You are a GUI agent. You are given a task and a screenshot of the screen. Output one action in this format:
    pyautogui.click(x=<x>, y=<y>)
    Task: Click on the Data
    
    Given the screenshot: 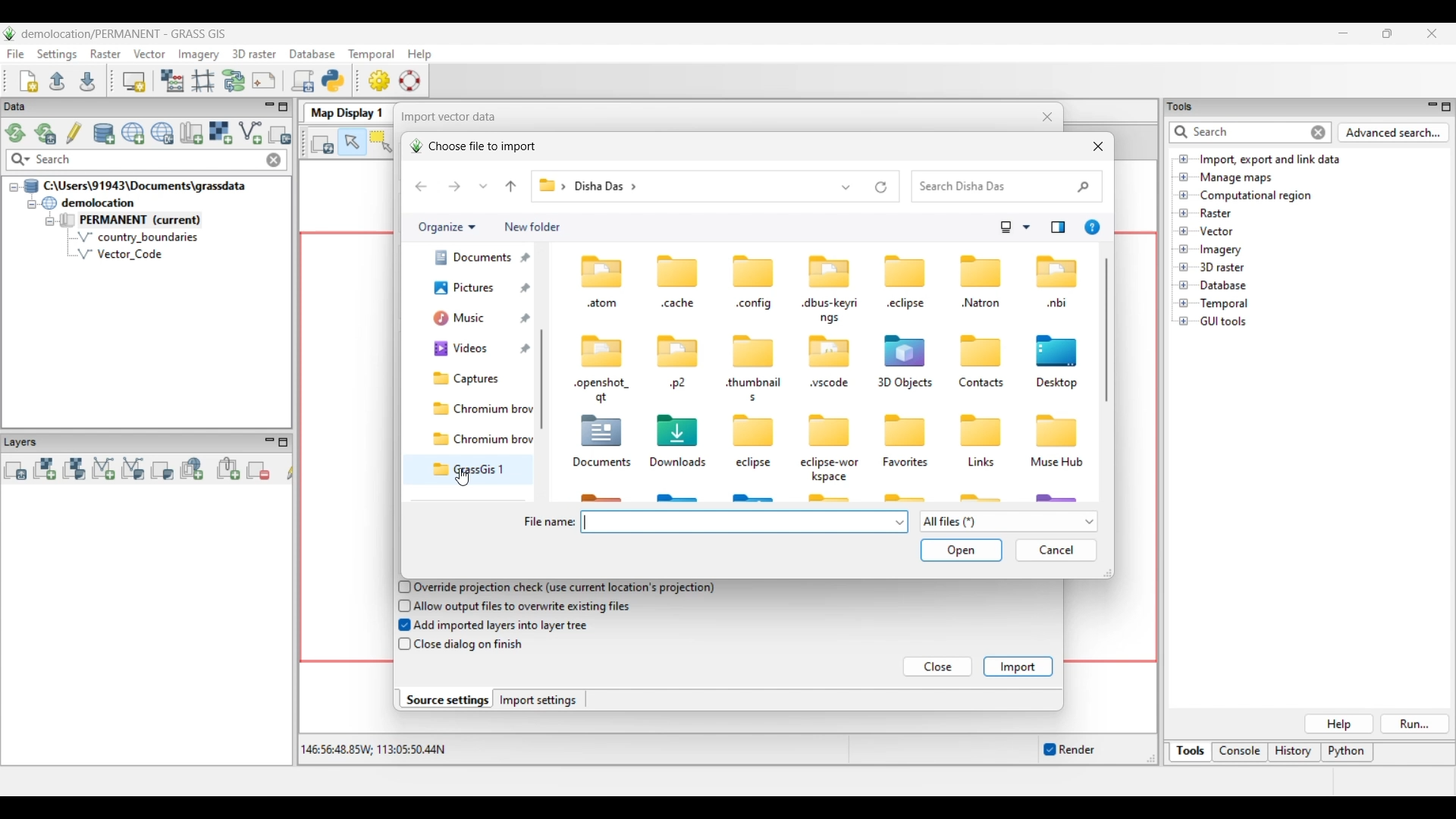 What is the action you would take?
    pyautogui.click(x=28, y=107)
    